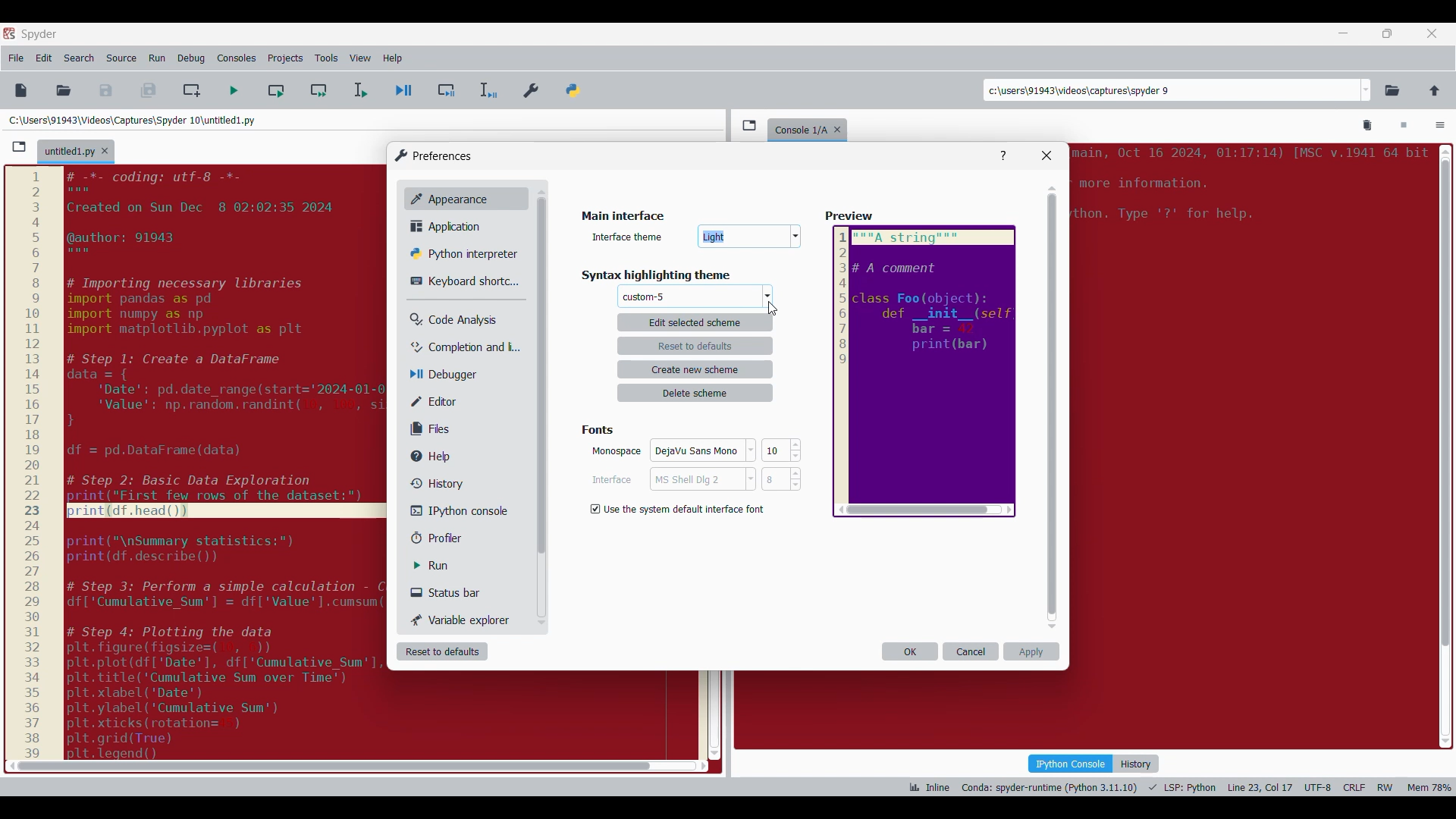  What do you see at coordinates (121, 58) in the screenshot?
I see `Source menu` at bounding box center [121, 58].